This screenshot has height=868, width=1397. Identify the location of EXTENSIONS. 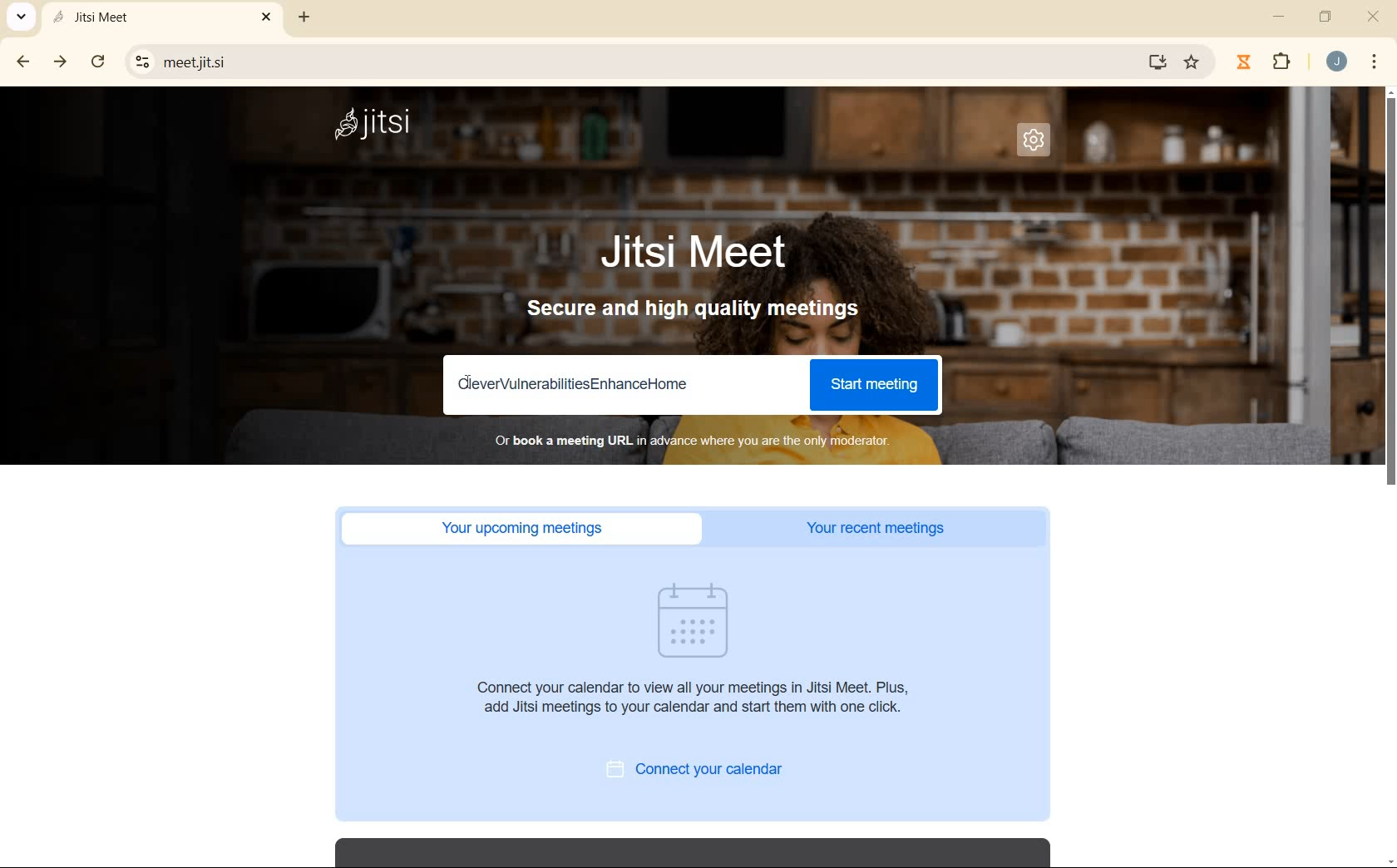
(1284, 62).